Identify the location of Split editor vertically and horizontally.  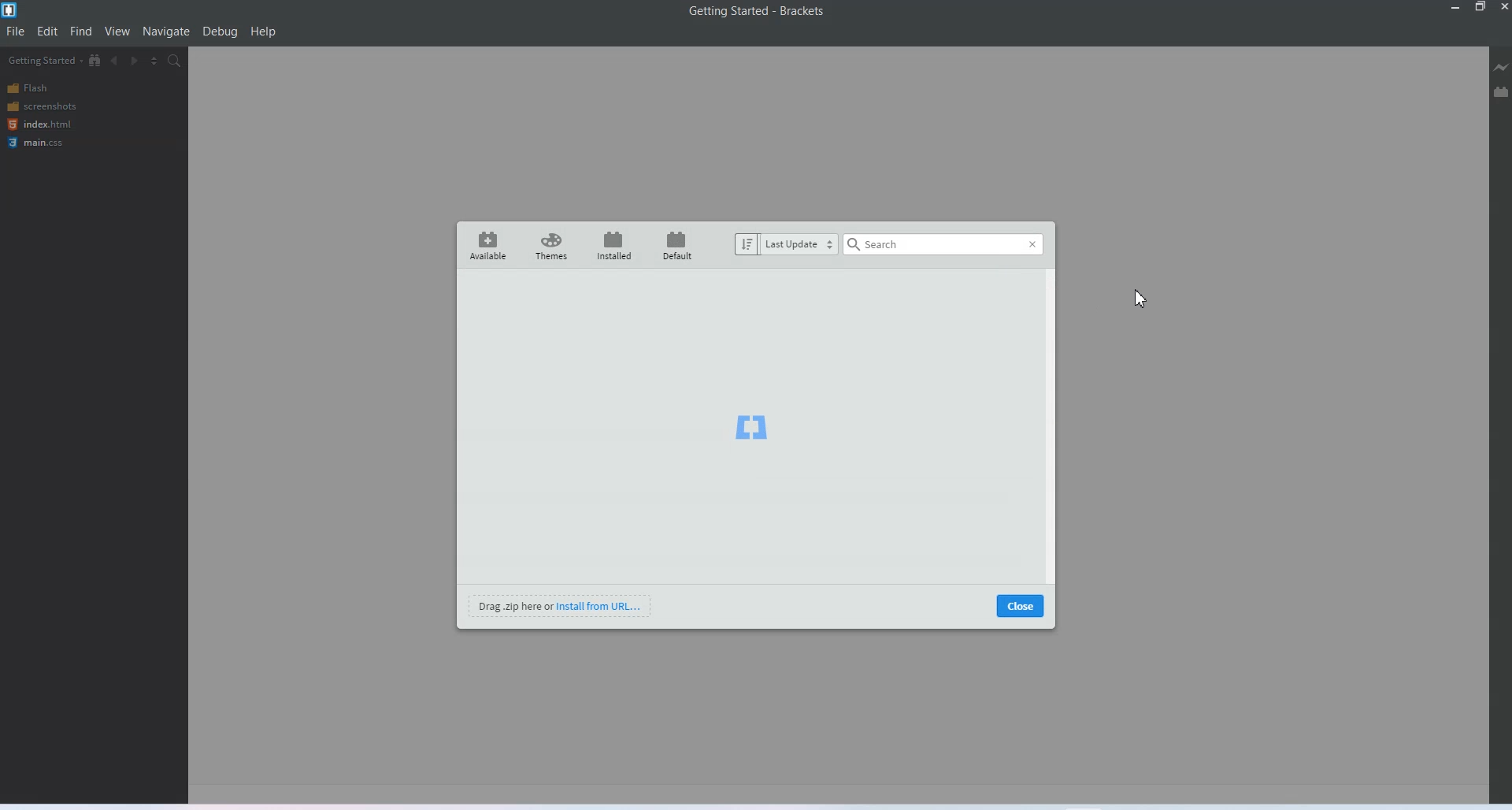
(155, 61).